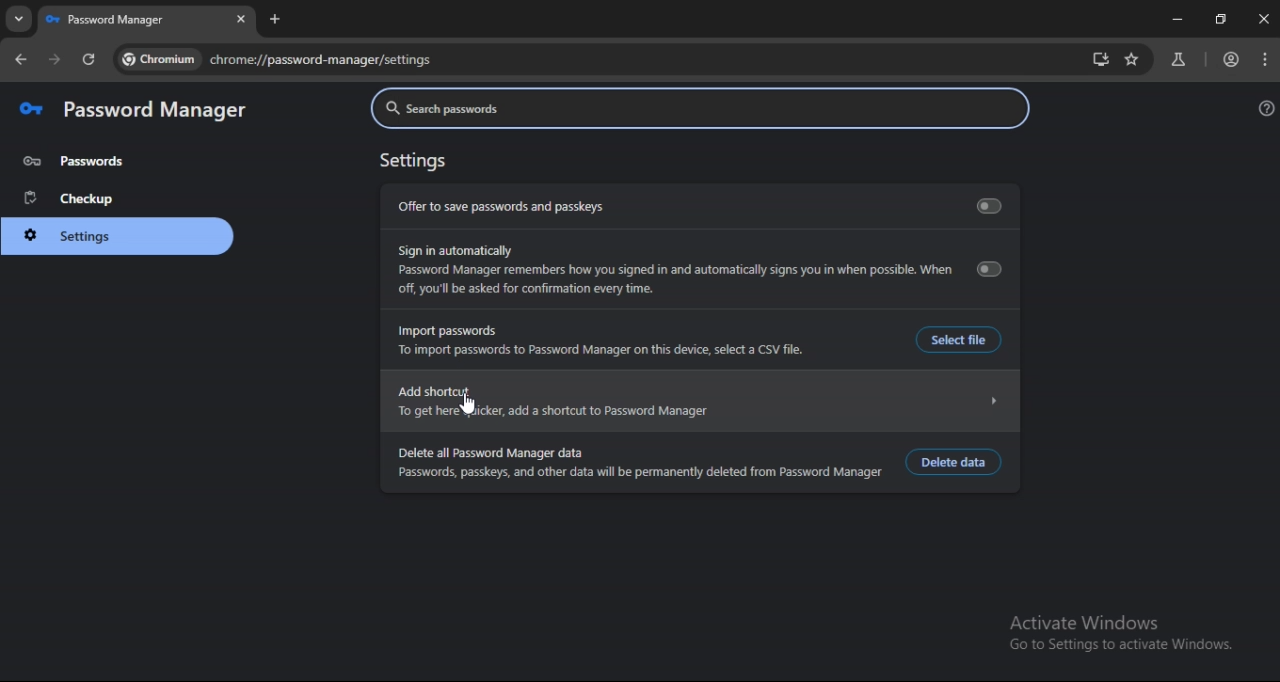 The image size is (1280, 682). Describe the element at coordinates (1178, 59) in the screenshot. I see `search labs` at that location.